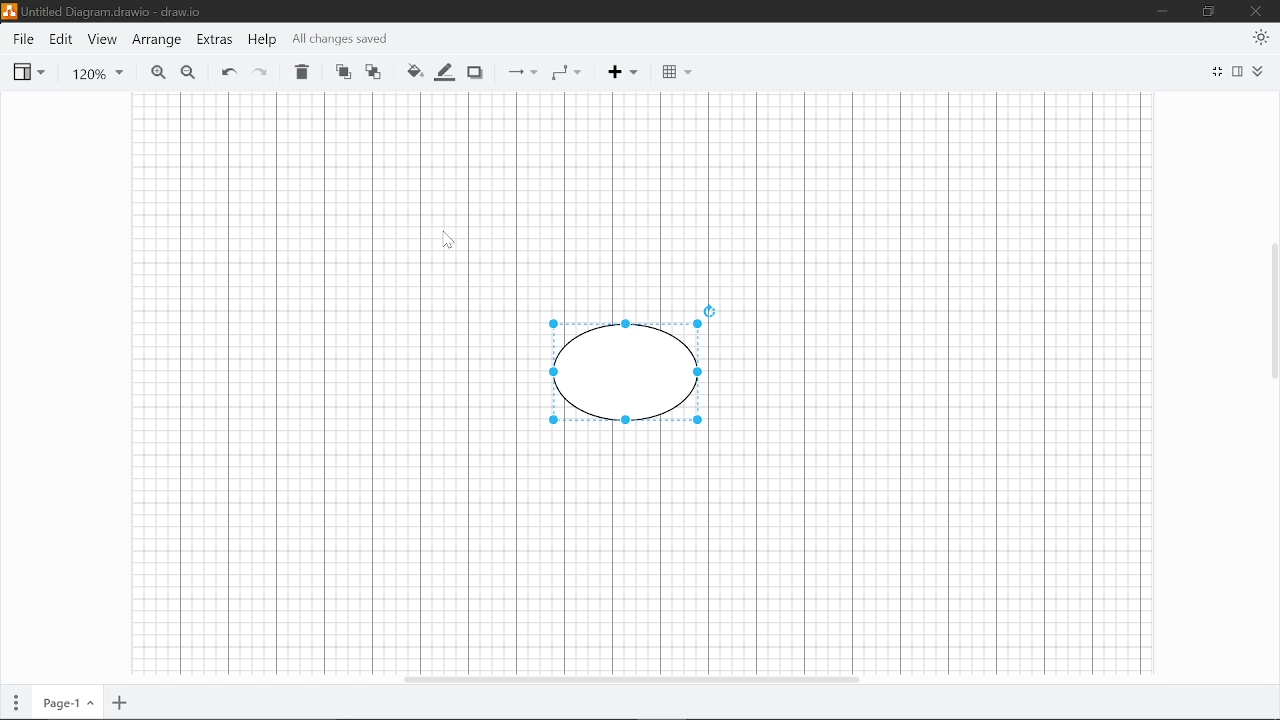 Image resolution: width=1280 pixels, height=720 pixels. Describe the element at coordinates (16, 699) in the screenshot. I see `Pages` at that location.